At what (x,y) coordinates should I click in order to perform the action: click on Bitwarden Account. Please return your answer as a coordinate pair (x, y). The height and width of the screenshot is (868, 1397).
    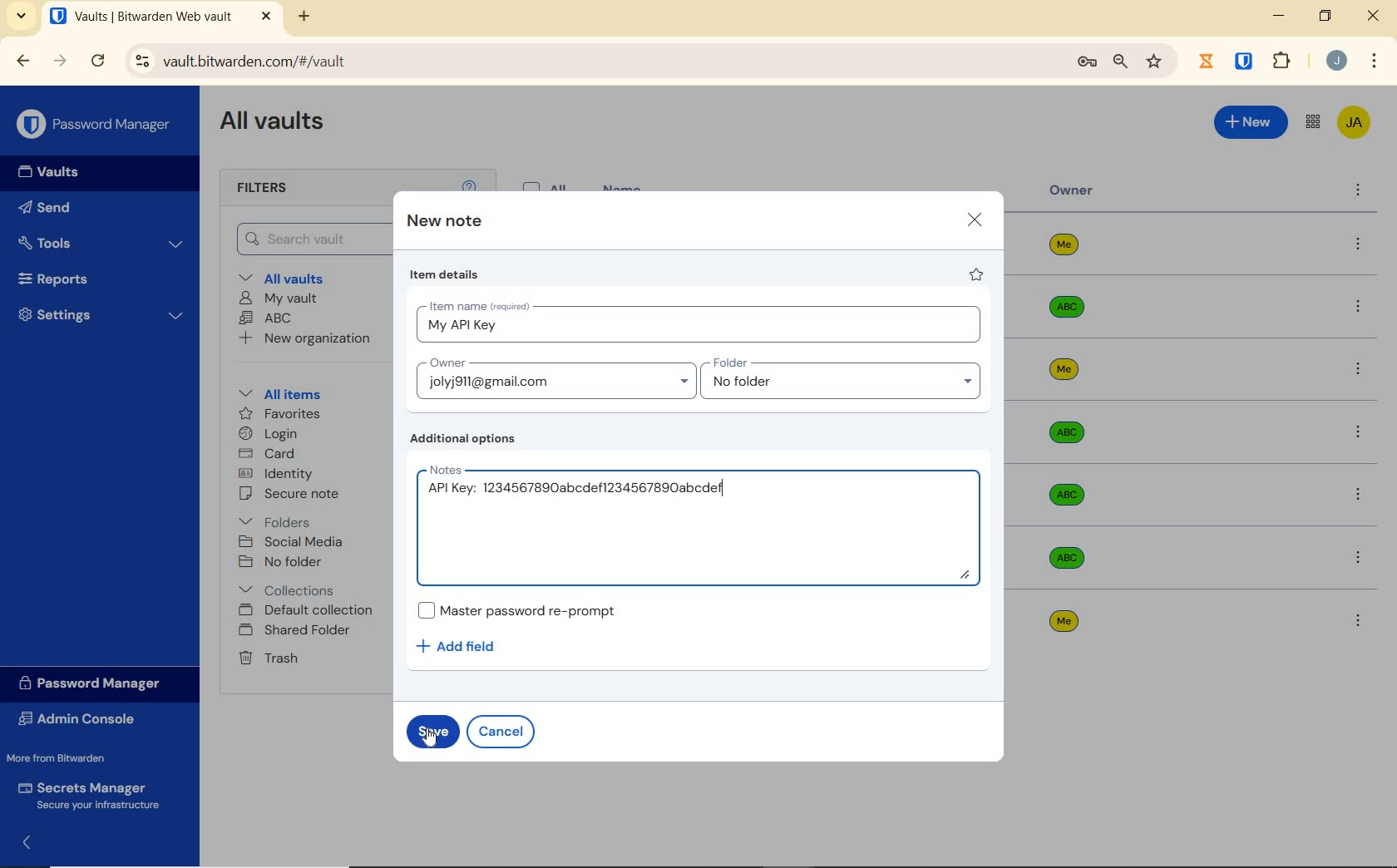
    Looking at the image, I should click on (1353, 121).